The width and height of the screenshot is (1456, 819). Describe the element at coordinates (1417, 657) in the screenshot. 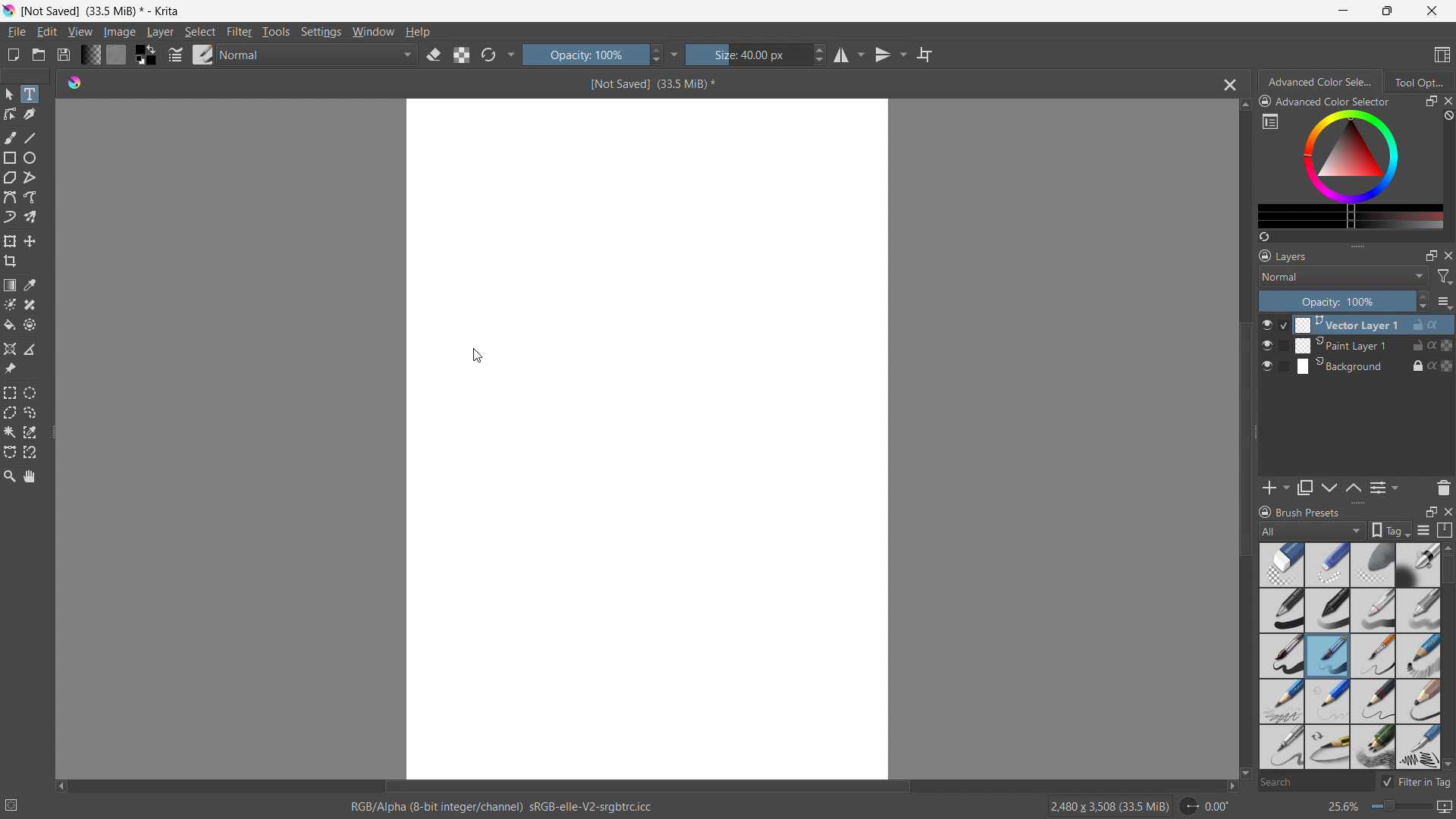

I see `sketch pencil` at that location.